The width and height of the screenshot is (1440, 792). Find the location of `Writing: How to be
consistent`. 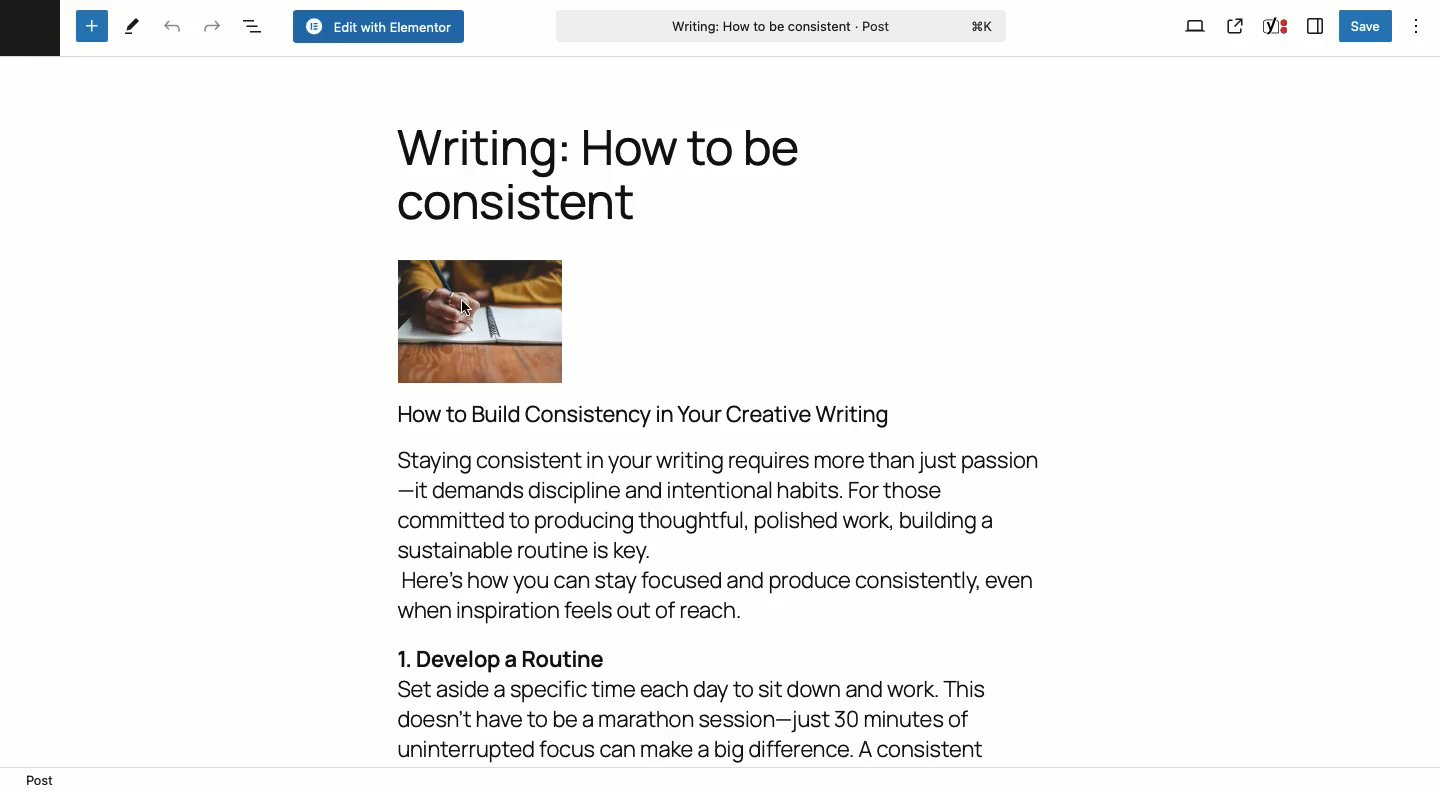

Writing: How to be
consistent is located at coordinates (596, 173).